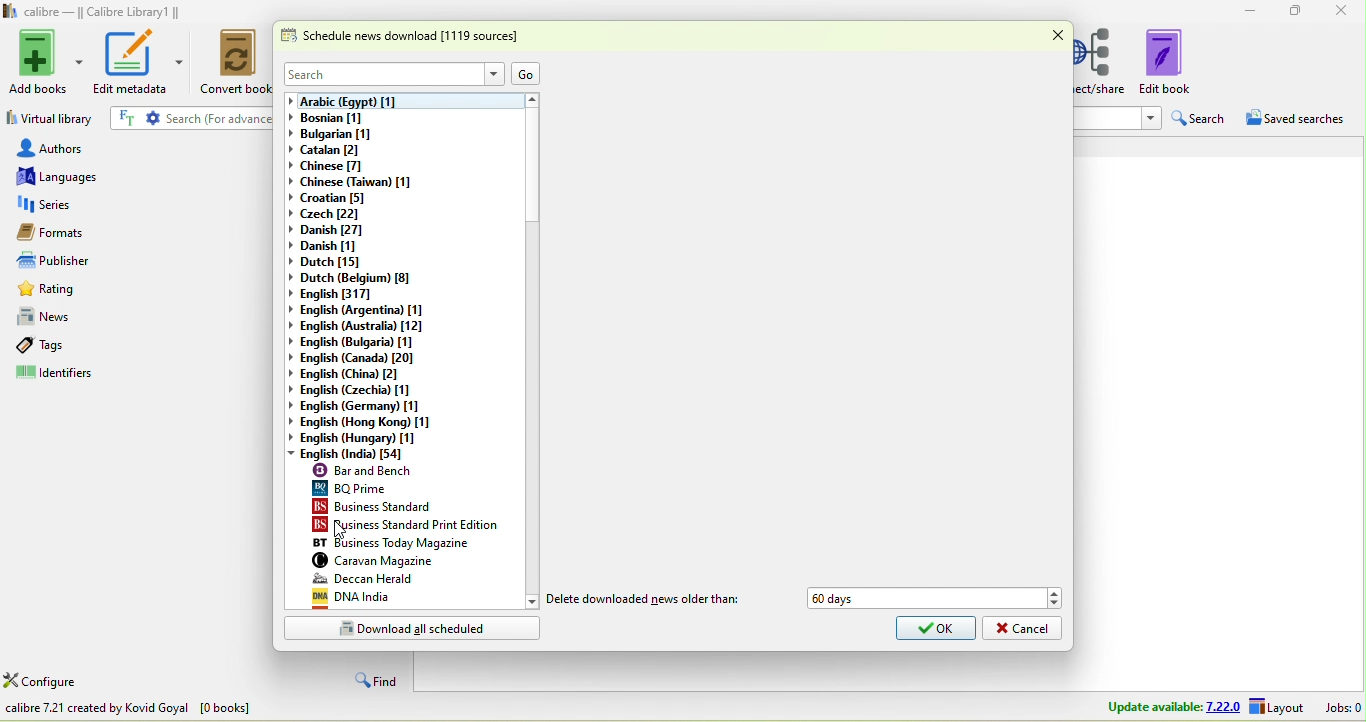 This screenshot has height=722, width=1366. What do you see at coordinates (414, 506) in the screenshot?
I see `business standard` at bounding box center [414, 506].